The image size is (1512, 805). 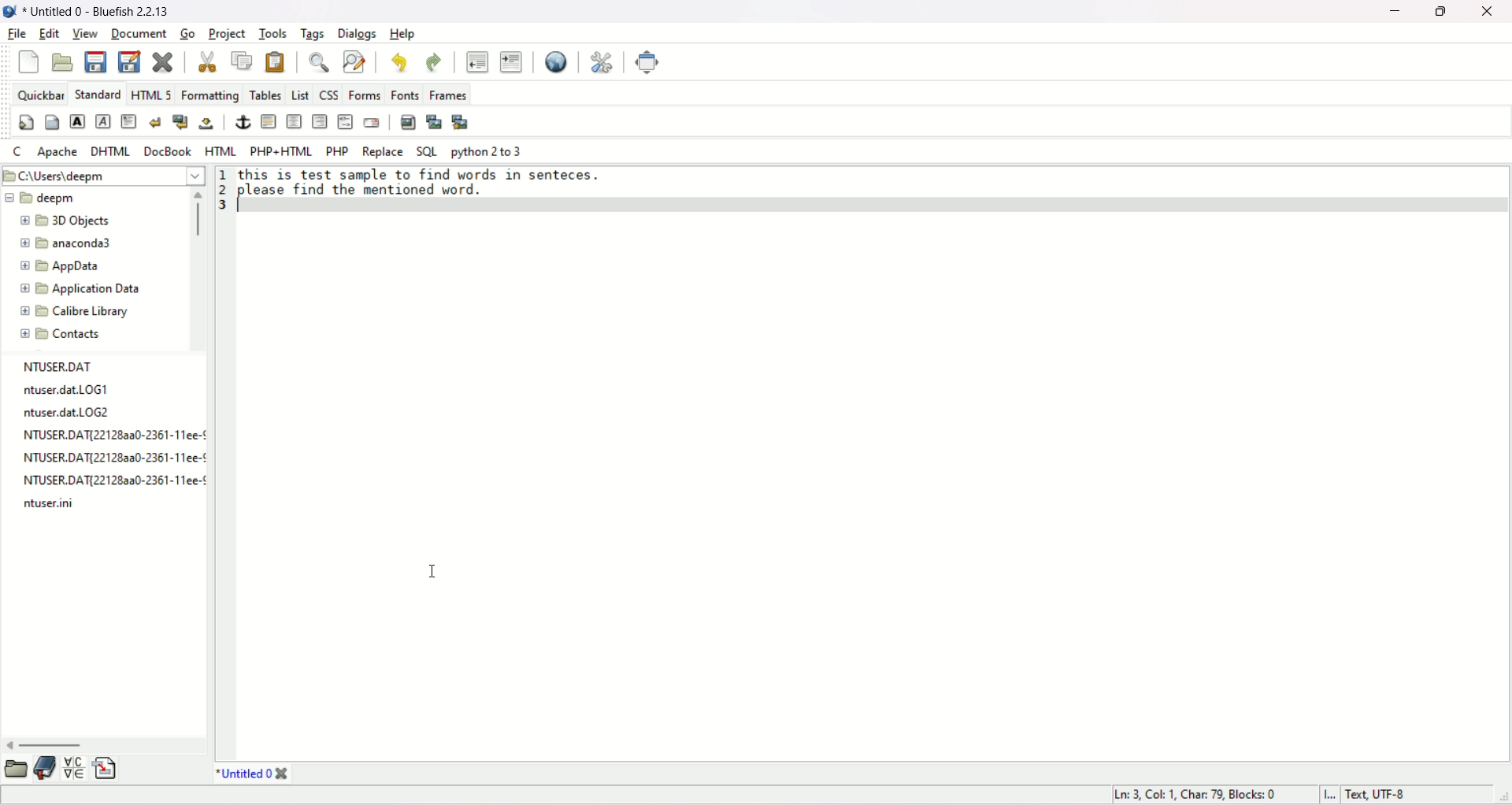 I want to click on save current file, so click(x=94, y=60).